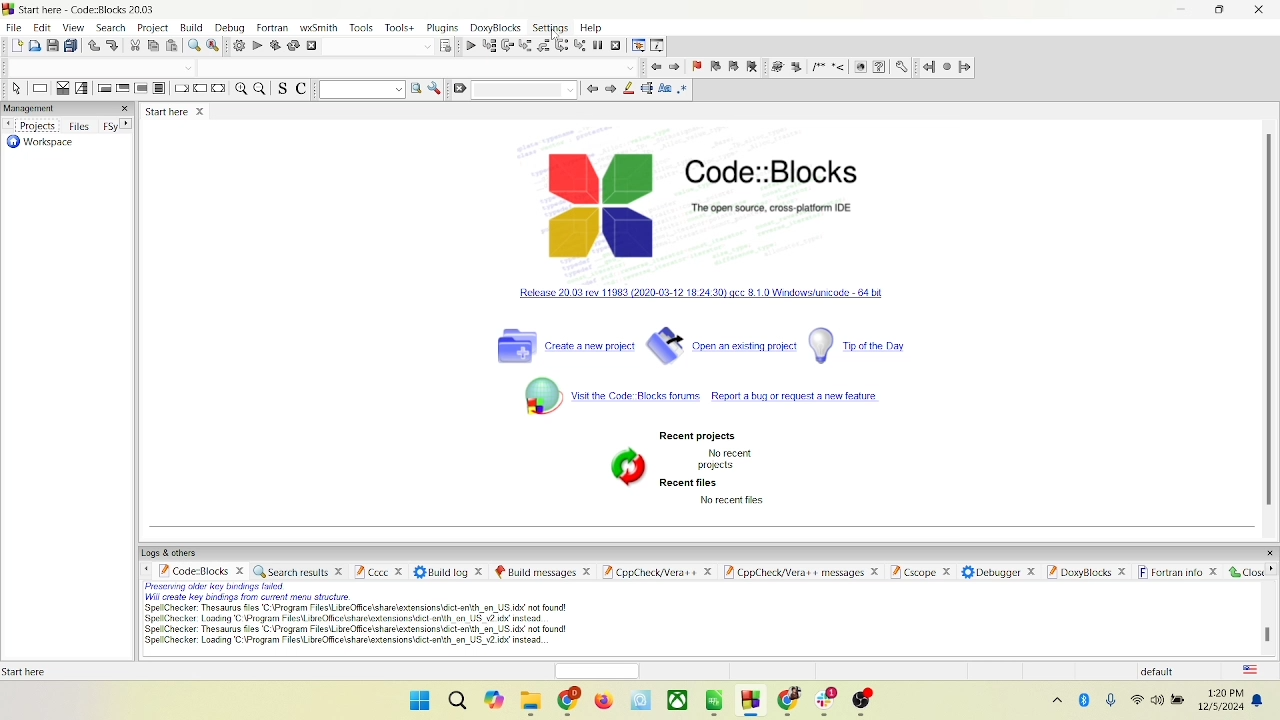 This screenshot has height=720, width=1280. Describe the element at coordinates (856, 346) in the screenshot. I see `tip of the day` at that location.